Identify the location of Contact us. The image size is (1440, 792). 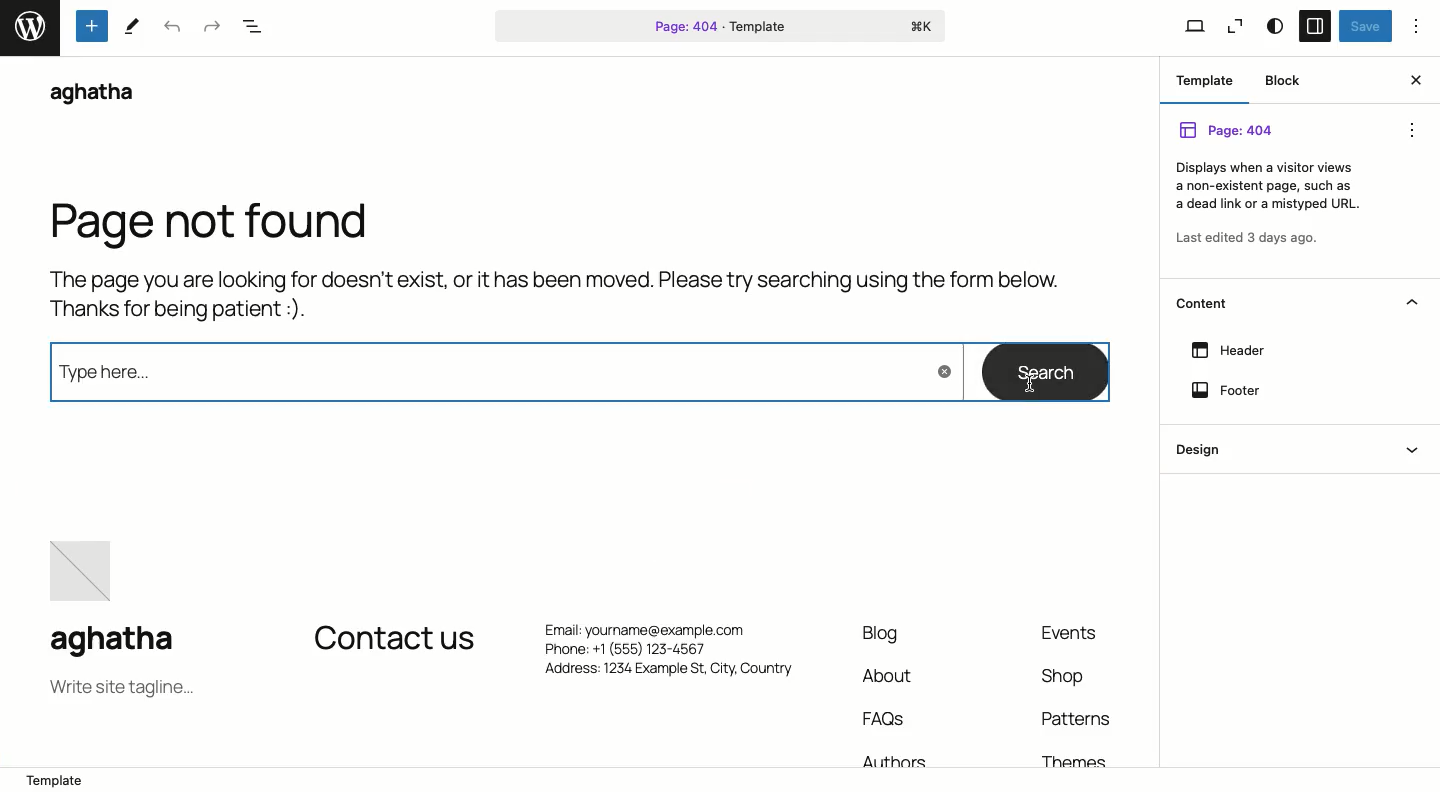
(394, 640).